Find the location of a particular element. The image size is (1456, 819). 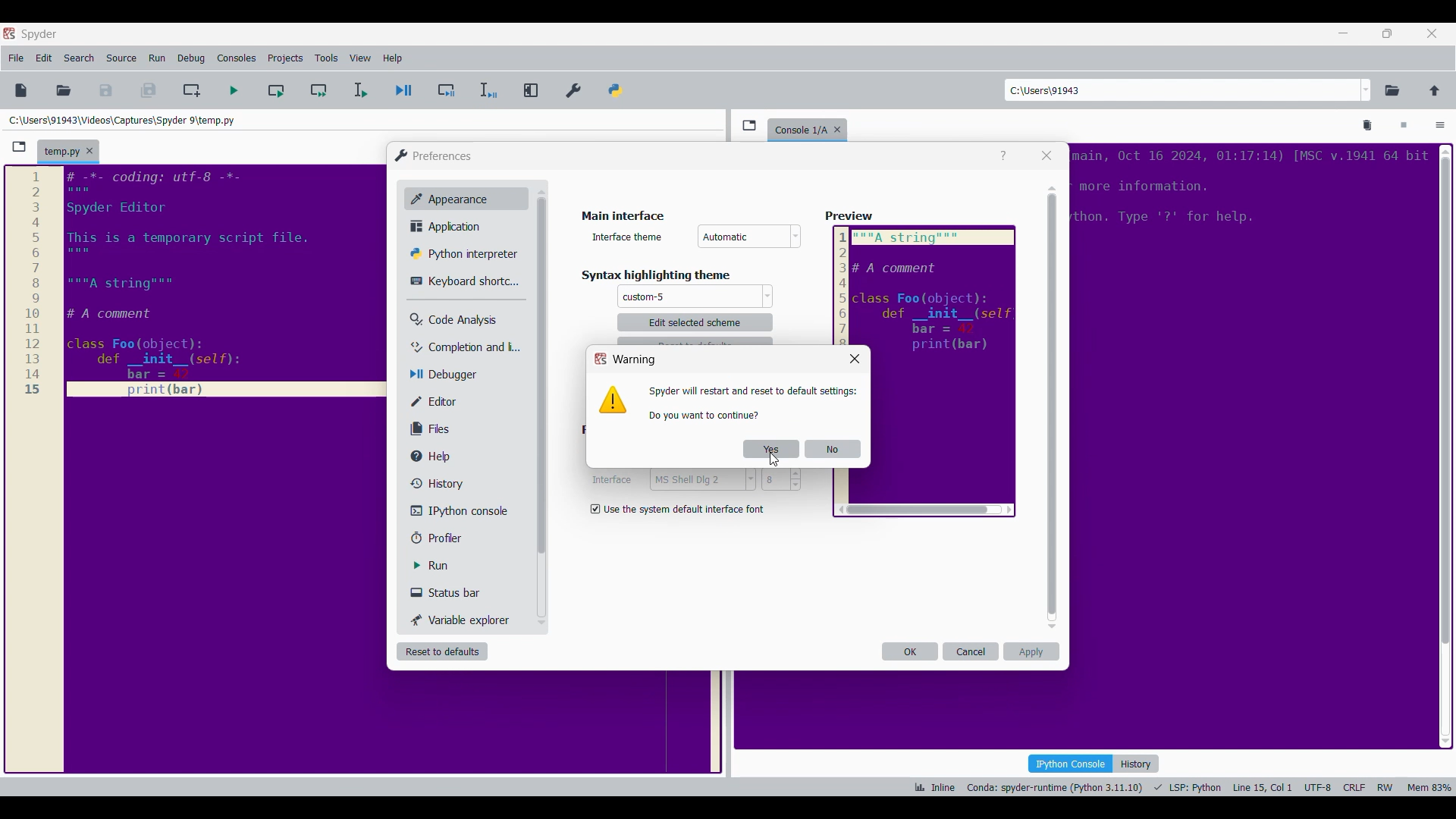

Location options is located at coordinates (1367, 90).